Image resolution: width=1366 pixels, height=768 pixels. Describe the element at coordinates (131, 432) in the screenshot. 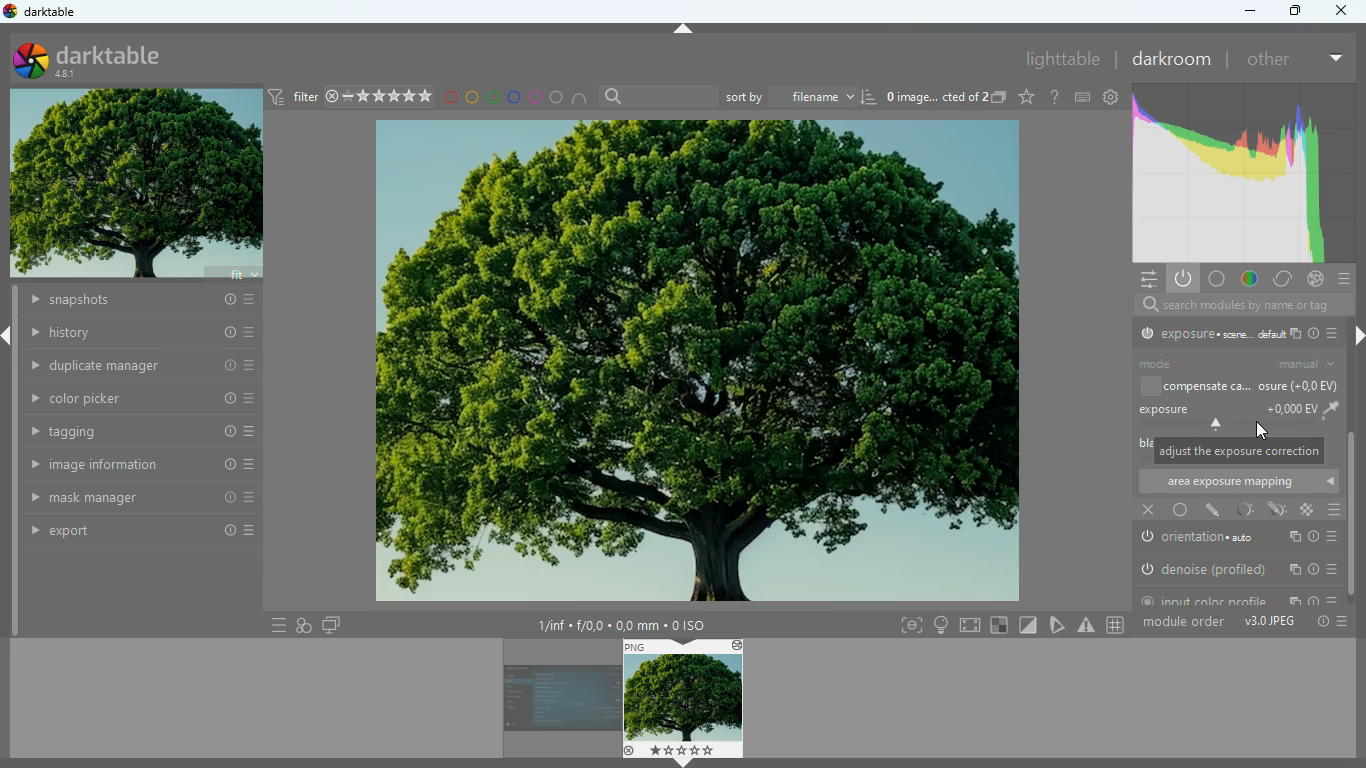

I see `tagging` at that location.